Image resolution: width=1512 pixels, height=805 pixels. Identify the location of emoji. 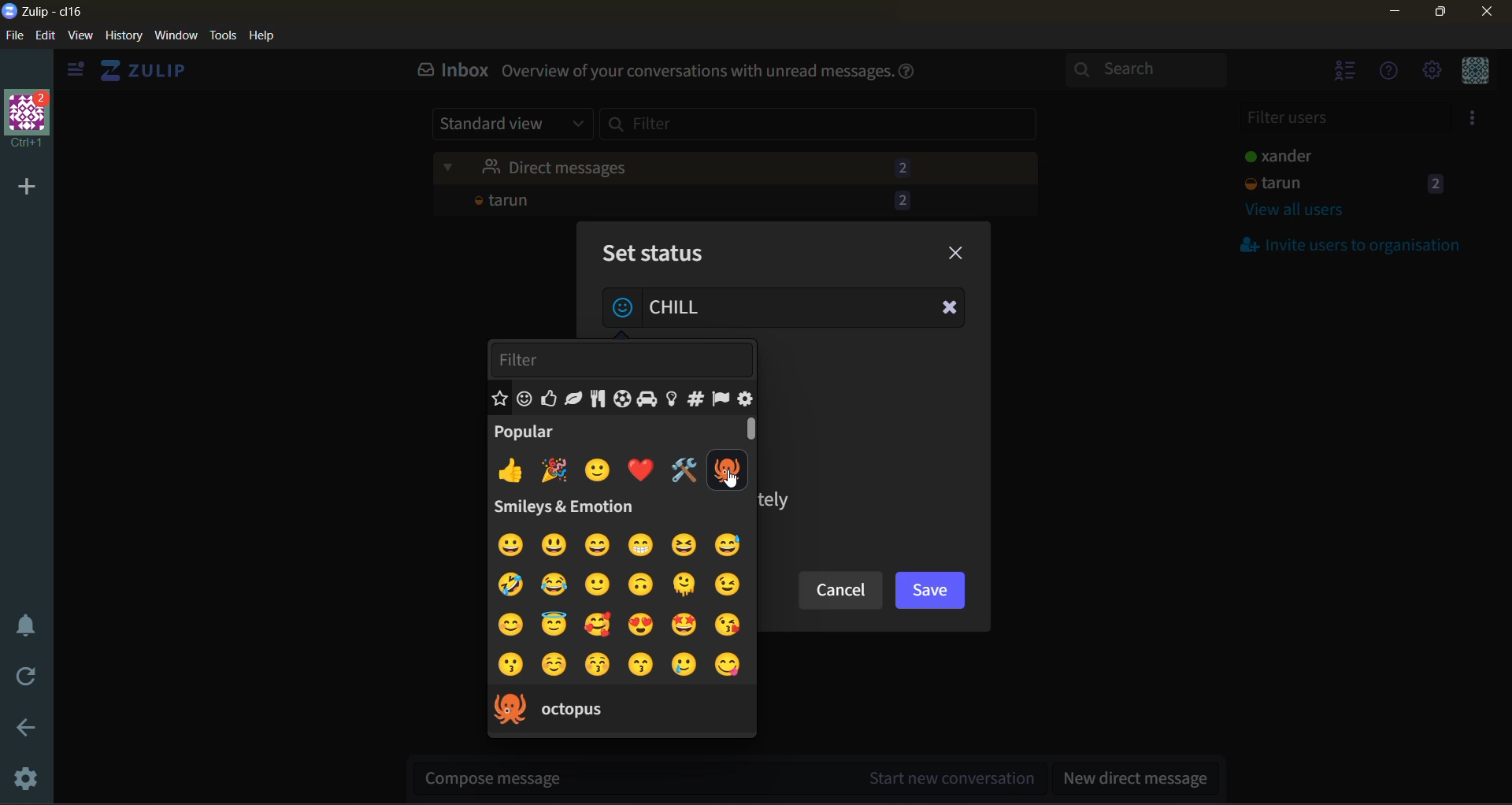
(515, 472).